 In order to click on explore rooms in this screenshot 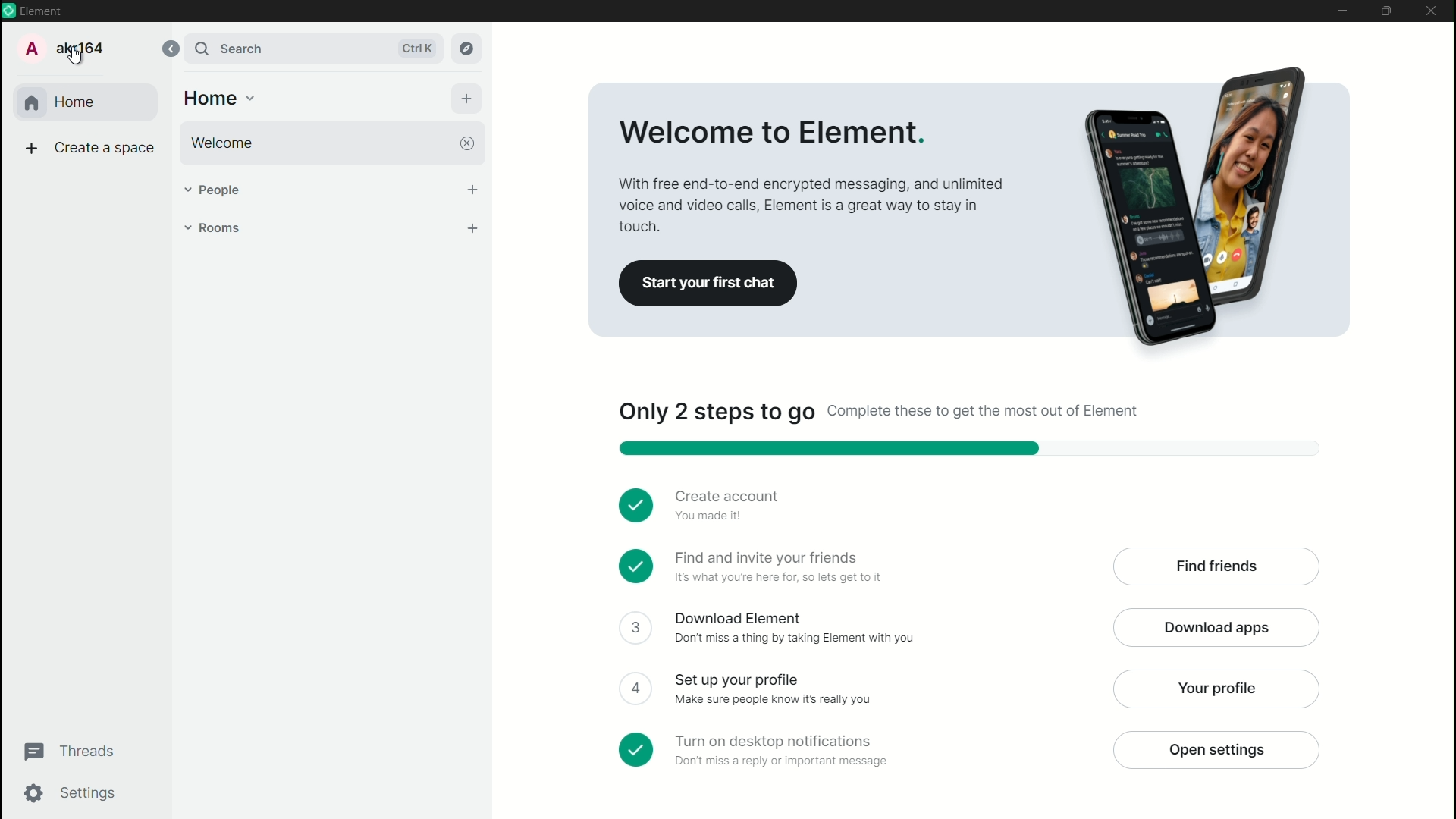, I will do `click(467, 48)`.